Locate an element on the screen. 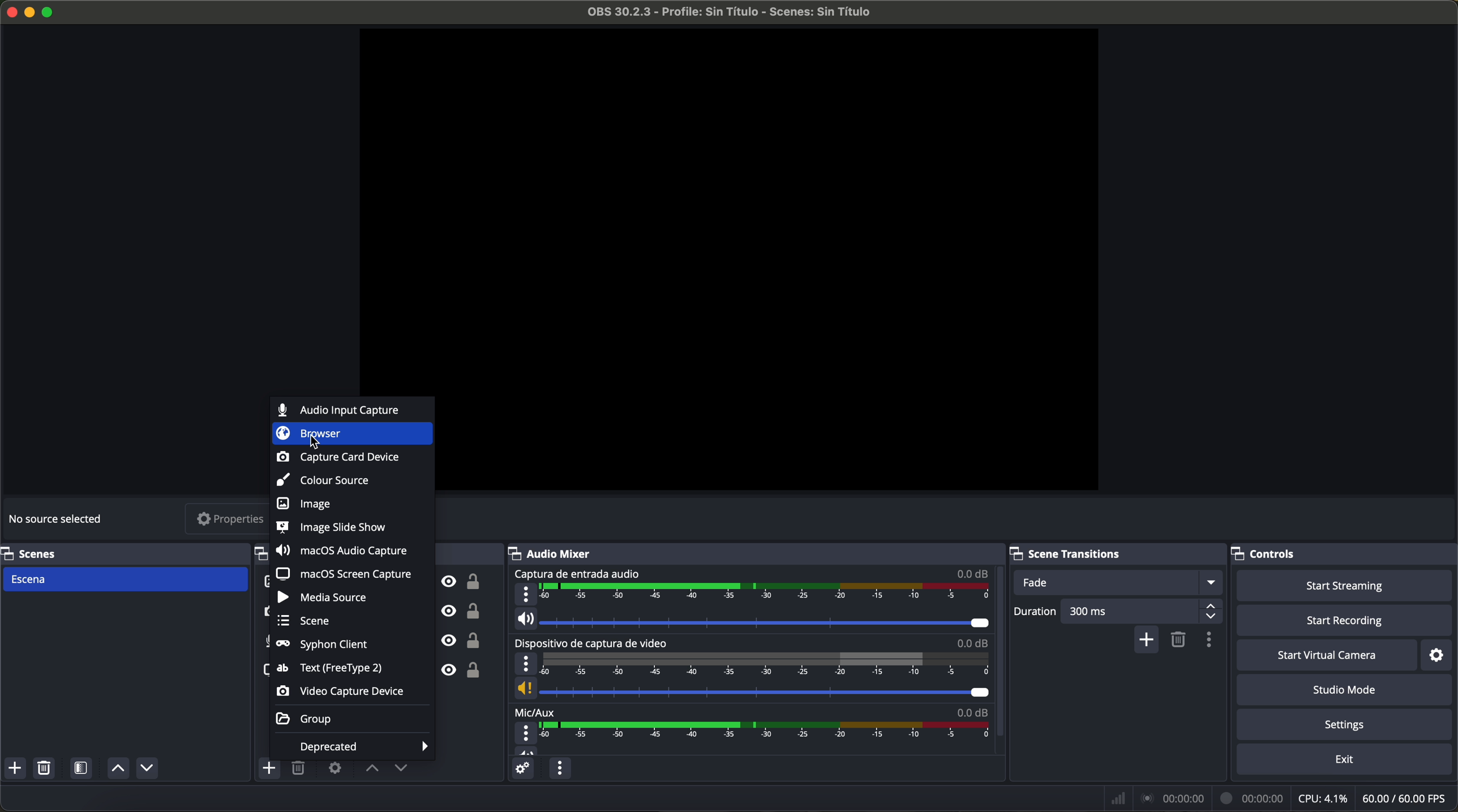 This screenshot has width=1458, height=812. 0.0 dB is located at coordinates (973, 574).